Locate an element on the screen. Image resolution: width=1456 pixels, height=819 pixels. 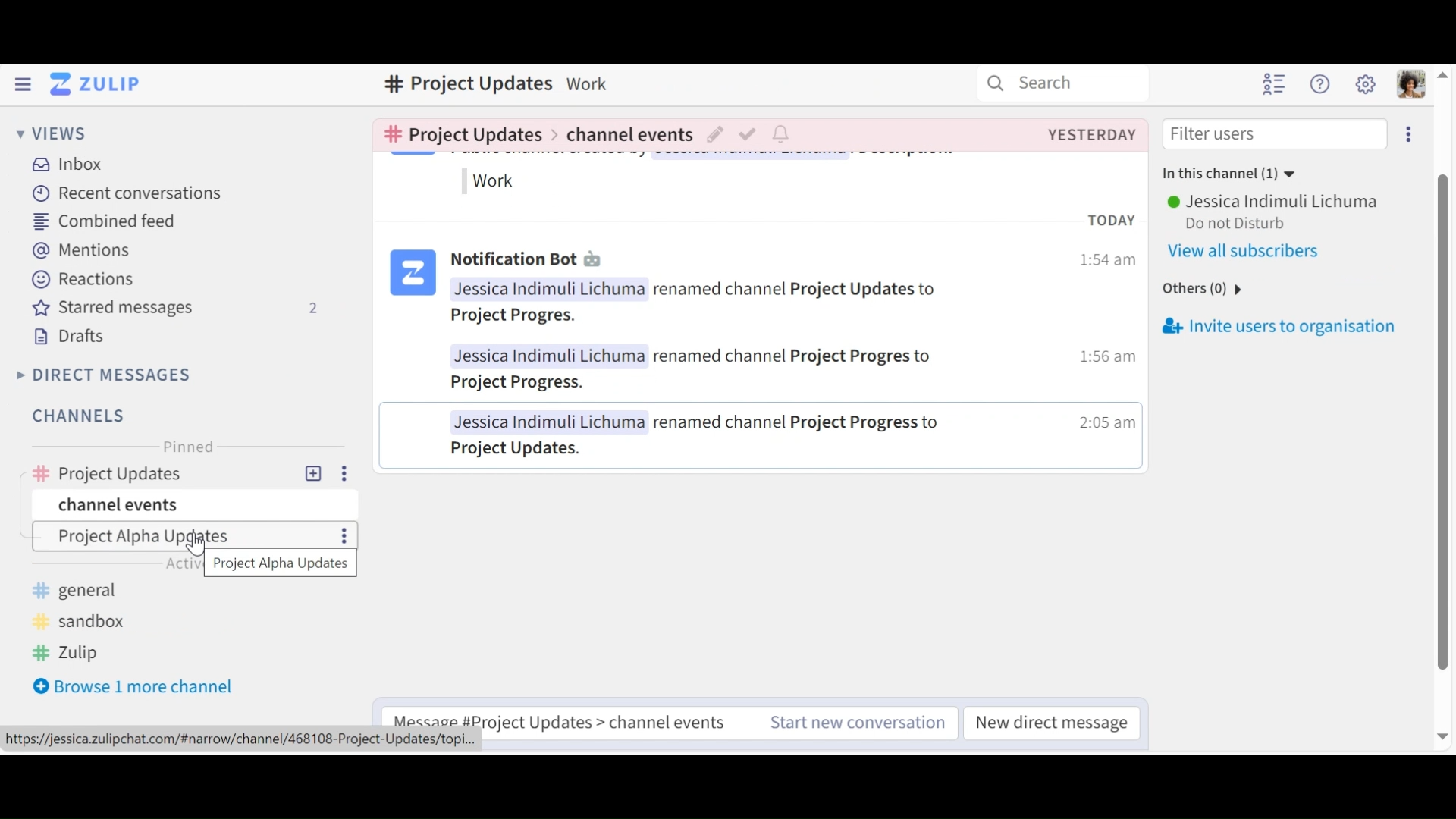
Do not Disturb is located at coordinates (1244, 223).